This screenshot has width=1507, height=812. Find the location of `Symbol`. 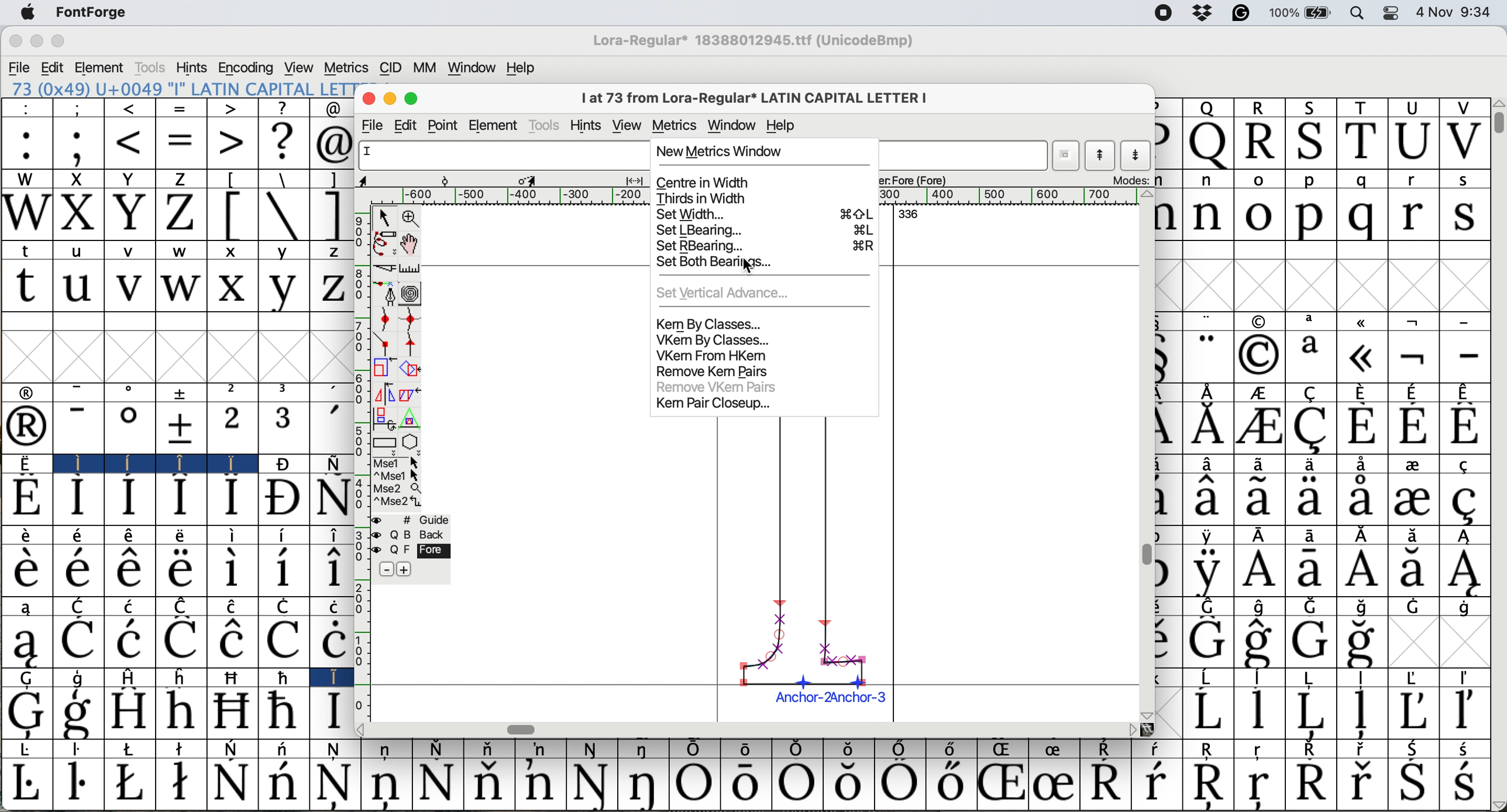

Symbol is located at coordinates (901, 748).